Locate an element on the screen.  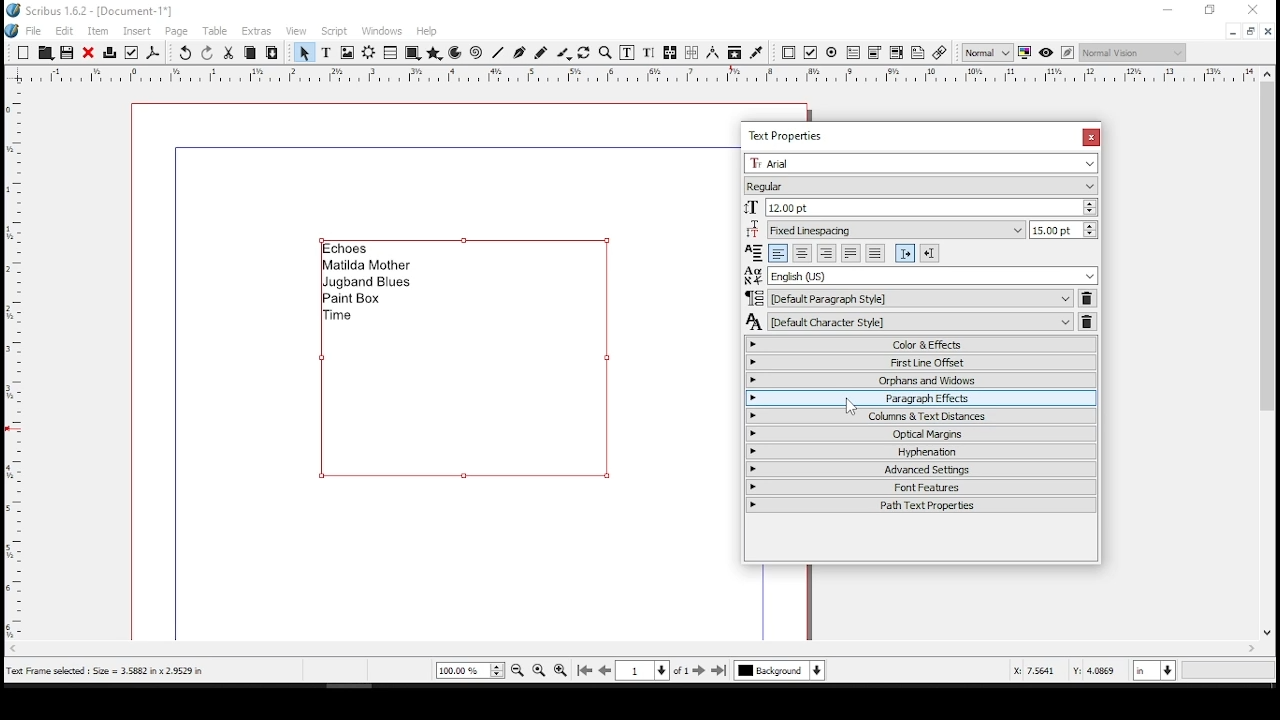
columns and text distances is located at coordinates (921, 416).